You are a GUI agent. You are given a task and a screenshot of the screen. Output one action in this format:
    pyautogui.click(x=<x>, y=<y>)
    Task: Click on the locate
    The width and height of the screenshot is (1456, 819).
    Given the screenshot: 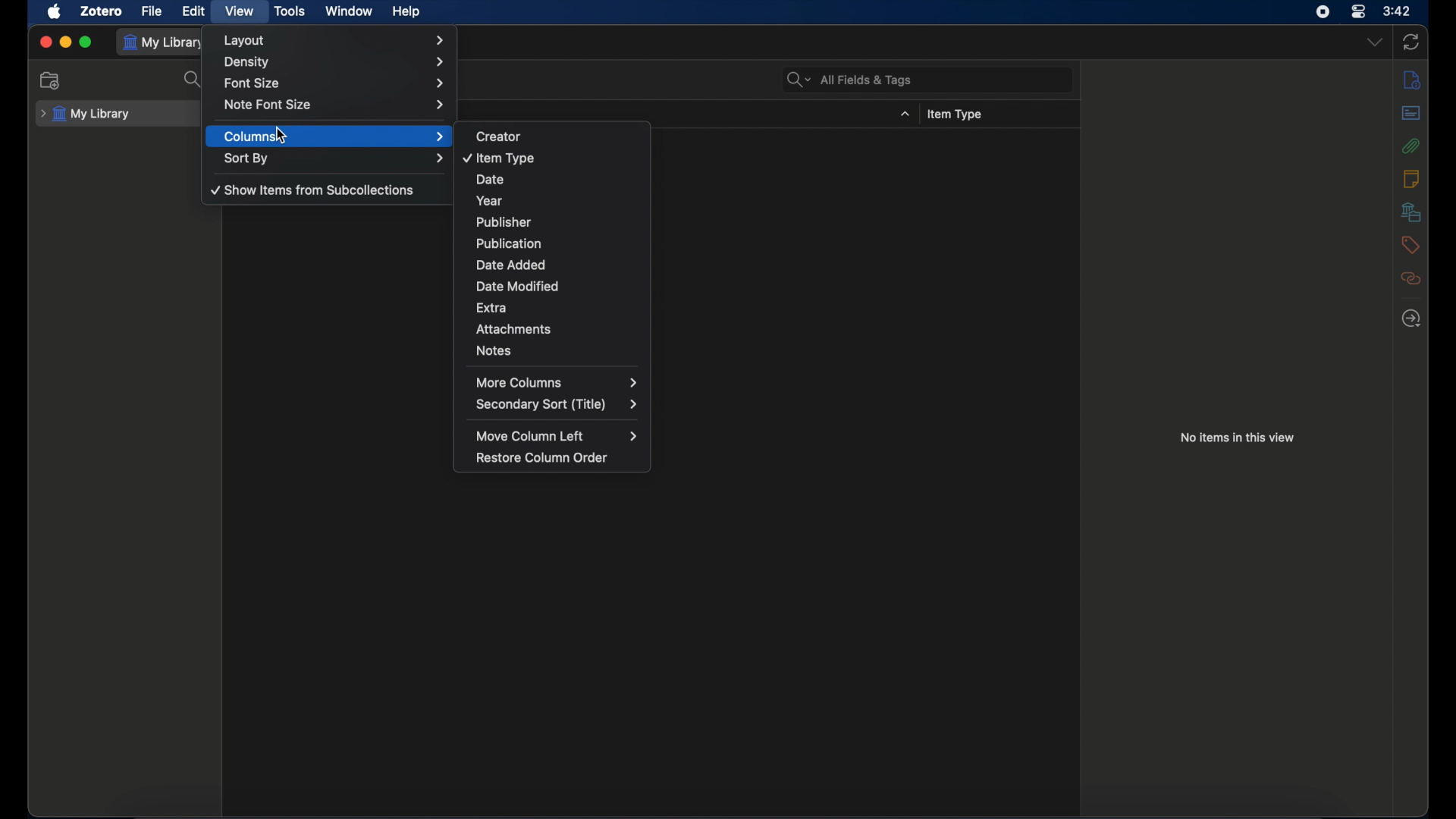 What is the action you would take?
    pyautogui.click(x=1410, y=317)
    